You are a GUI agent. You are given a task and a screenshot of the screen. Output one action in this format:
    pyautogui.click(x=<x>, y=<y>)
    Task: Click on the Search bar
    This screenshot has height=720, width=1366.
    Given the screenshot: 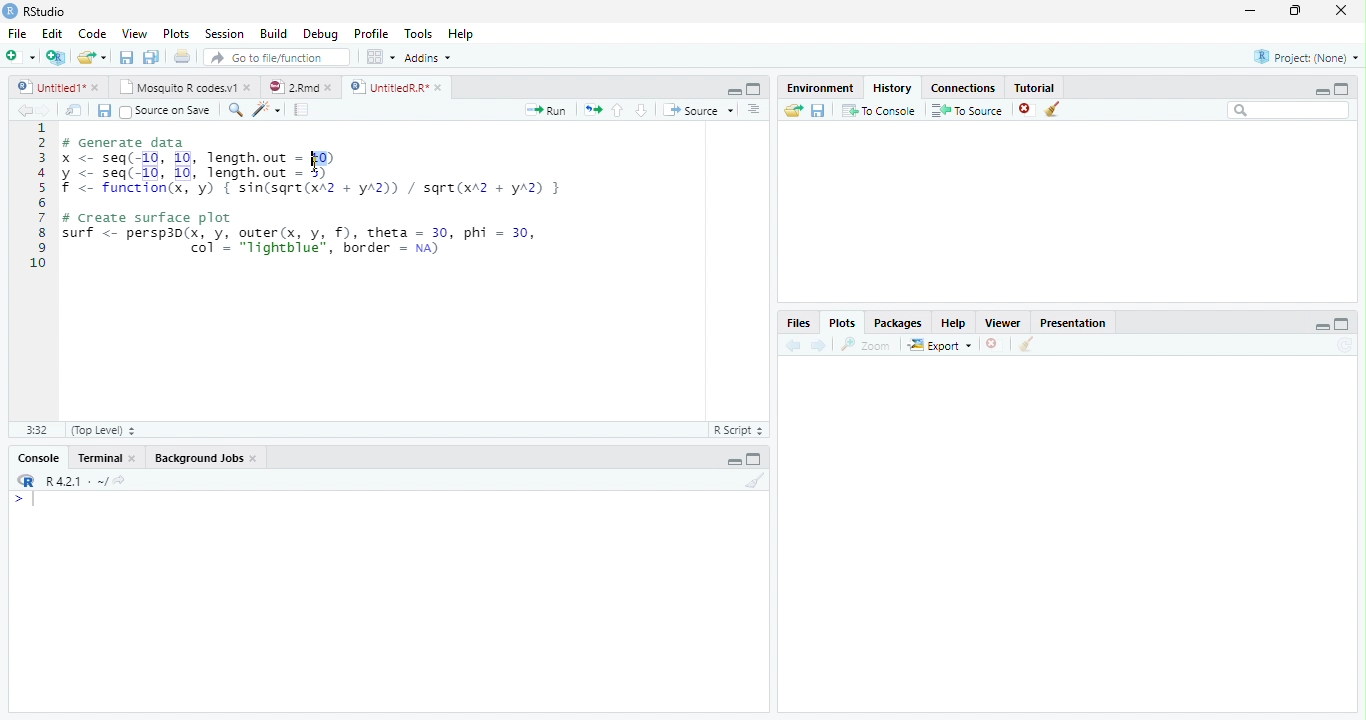 What is the action you would take?
    pyautogui.click(x=1288, y=110)
    